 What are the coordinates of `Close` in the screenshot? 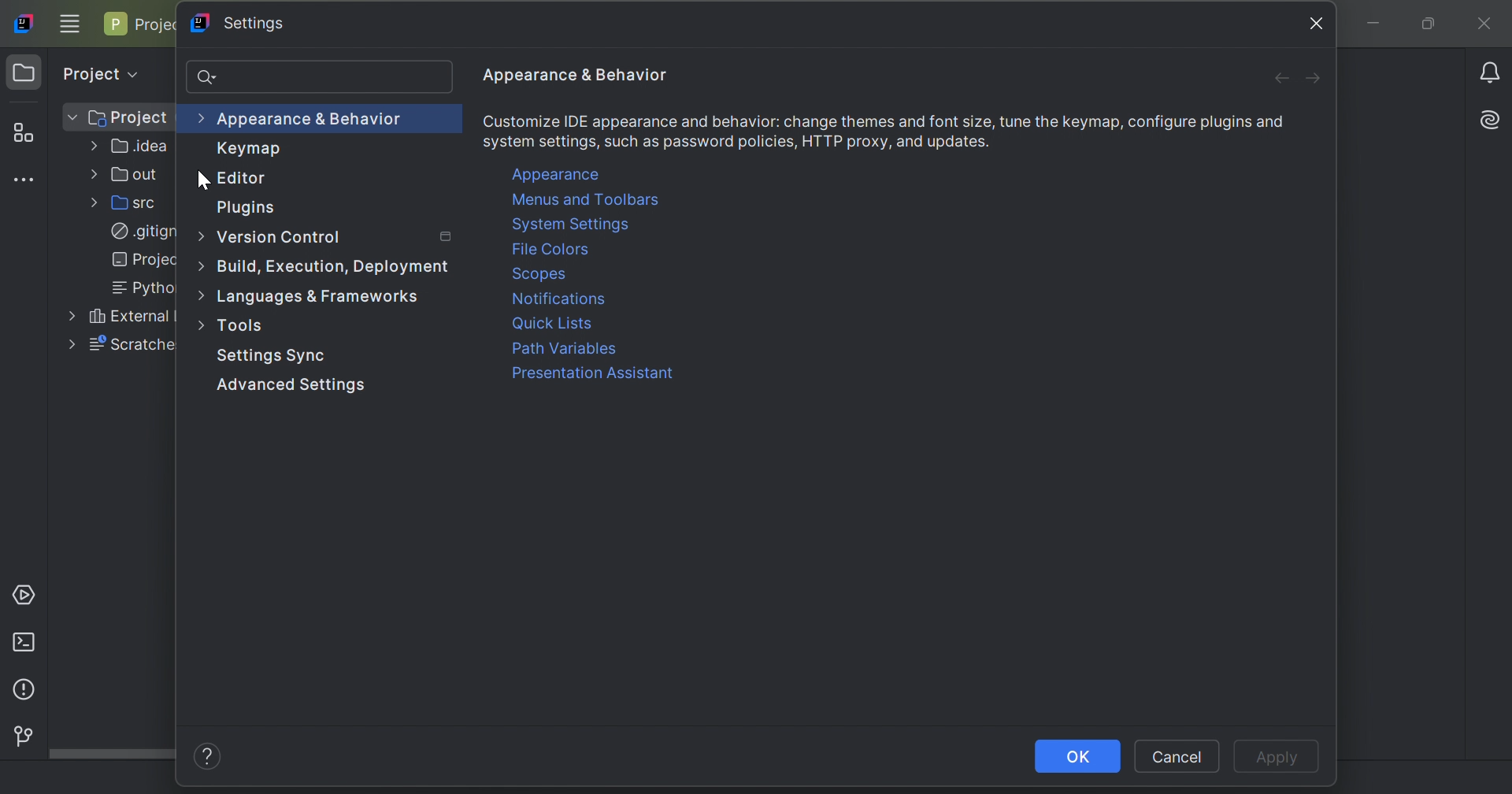 It's located at (1317, 24).